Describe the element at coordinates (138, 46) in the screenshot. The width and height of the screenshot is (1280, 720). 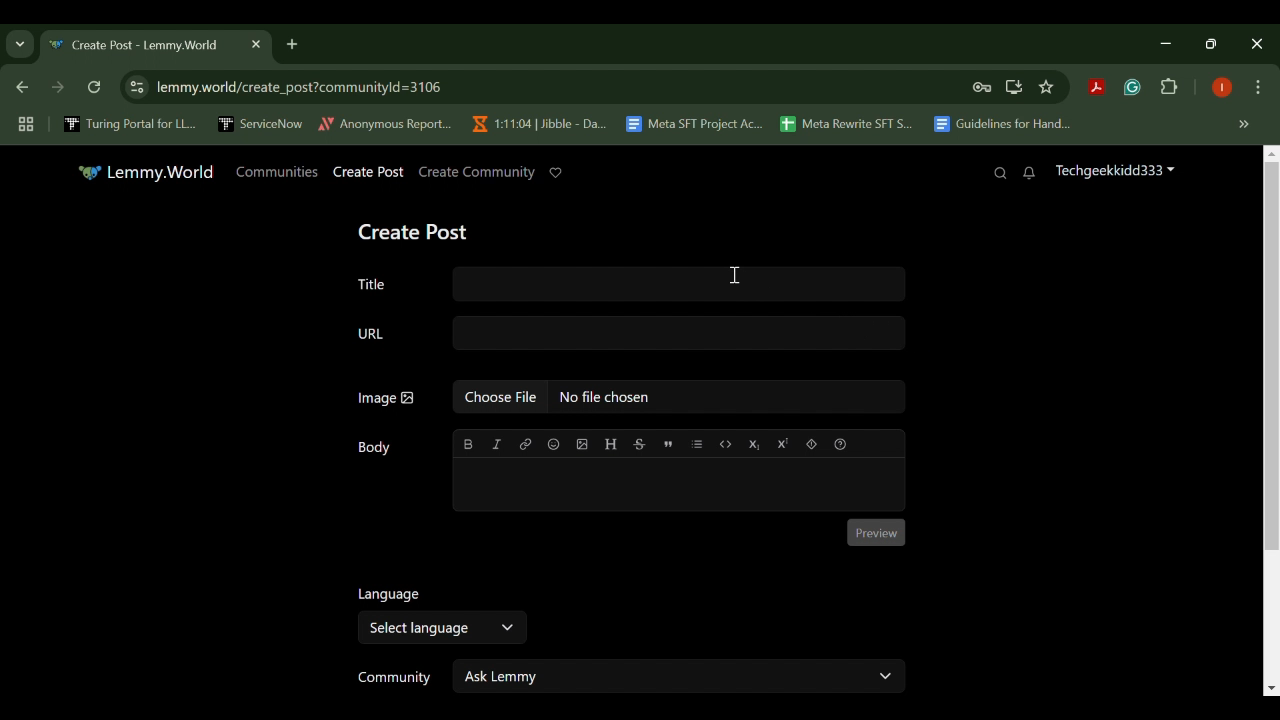
I see `Create Post - Lemmy.World` at that location.